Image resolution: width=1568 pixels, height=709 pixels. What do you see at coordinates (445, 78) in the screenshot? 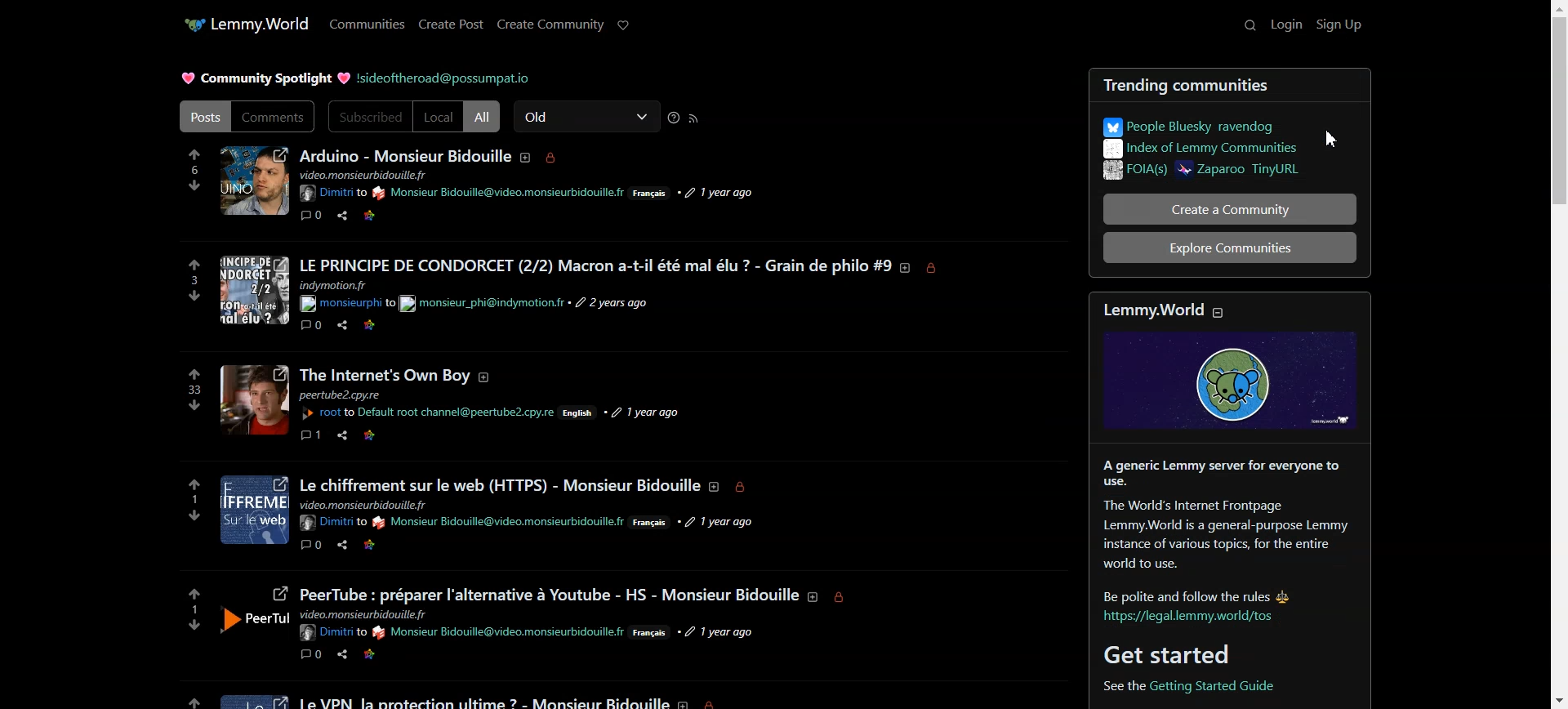
I see `Hyperlink` at bounding box center [445, 78].